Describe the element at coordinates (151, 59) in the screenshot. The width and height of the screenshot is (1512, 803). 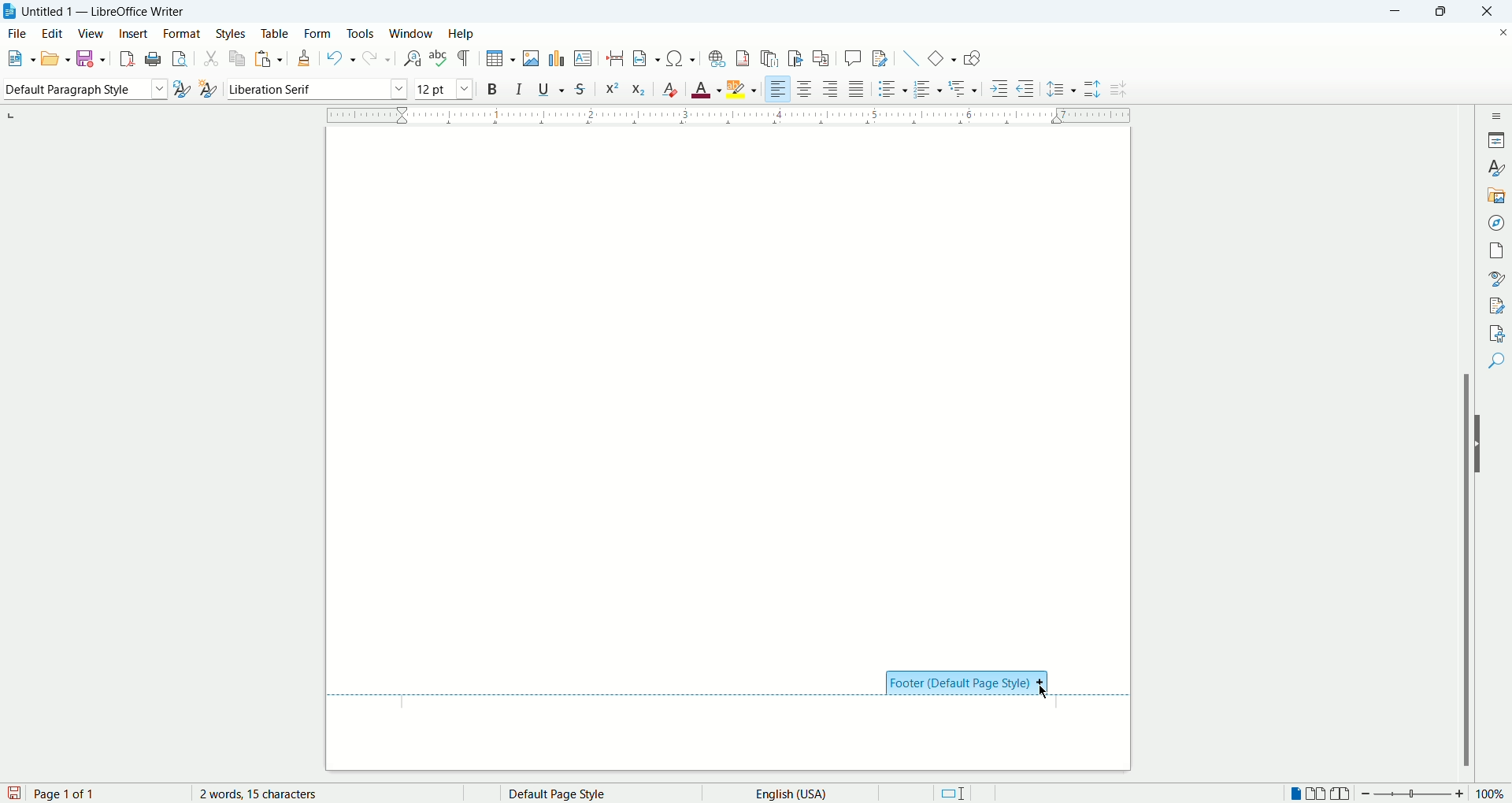
I see `print` at that location.